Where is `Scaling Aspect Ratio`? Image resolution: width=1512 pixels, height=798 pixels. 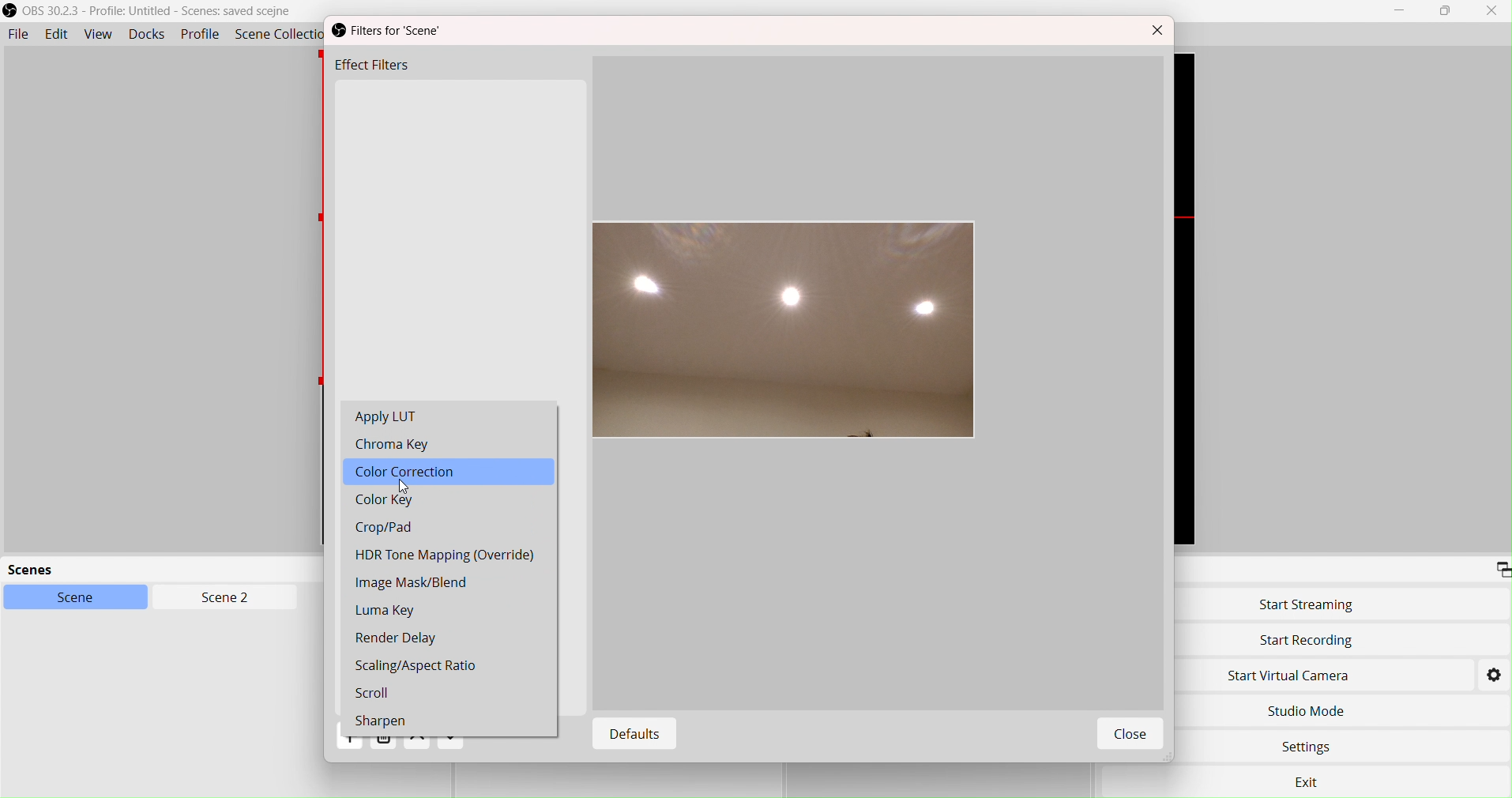 Scaling Aspect Ratio is located at coordinates (419, 664).